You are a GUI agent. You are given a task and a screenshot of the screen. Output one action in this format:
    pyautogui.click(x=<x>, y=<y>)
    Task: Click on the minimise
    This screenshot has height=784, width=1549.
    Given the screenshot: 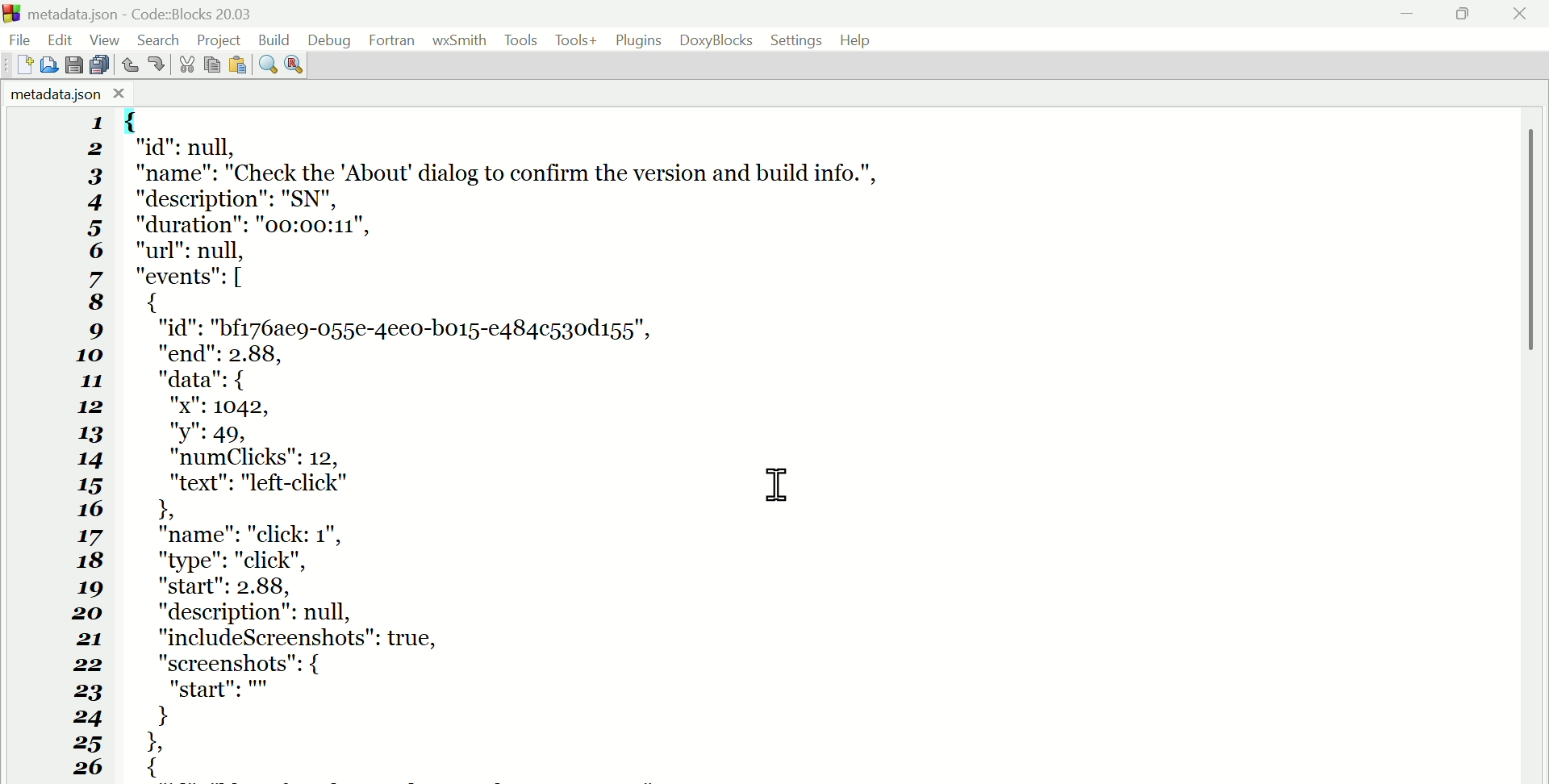 What is the action you would take?
    pyautogui.click(x=1409, y=15)
    